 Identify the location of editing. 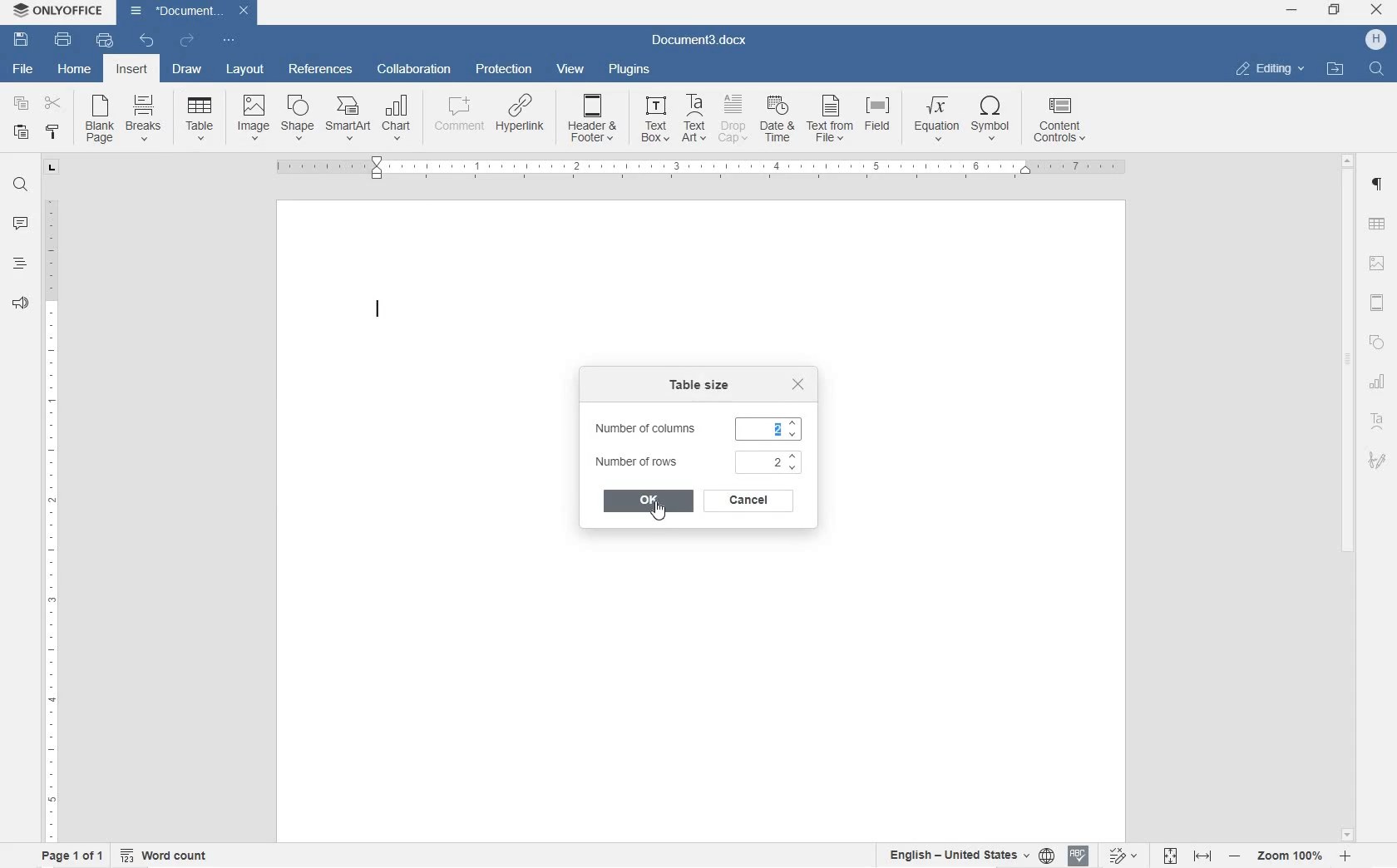
(1271, 68).